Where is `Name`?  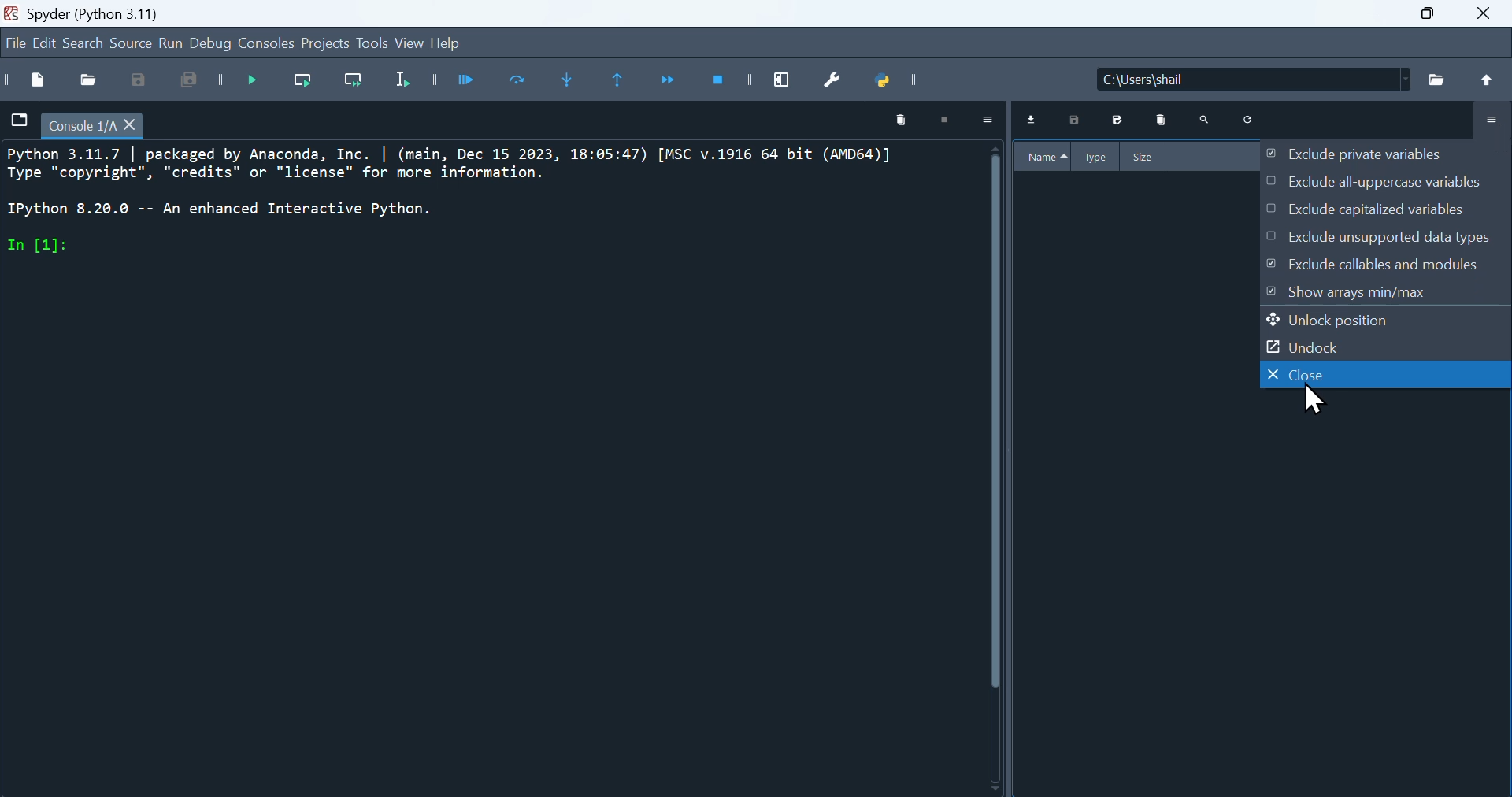
Name is located at coordinates (1047, 158).